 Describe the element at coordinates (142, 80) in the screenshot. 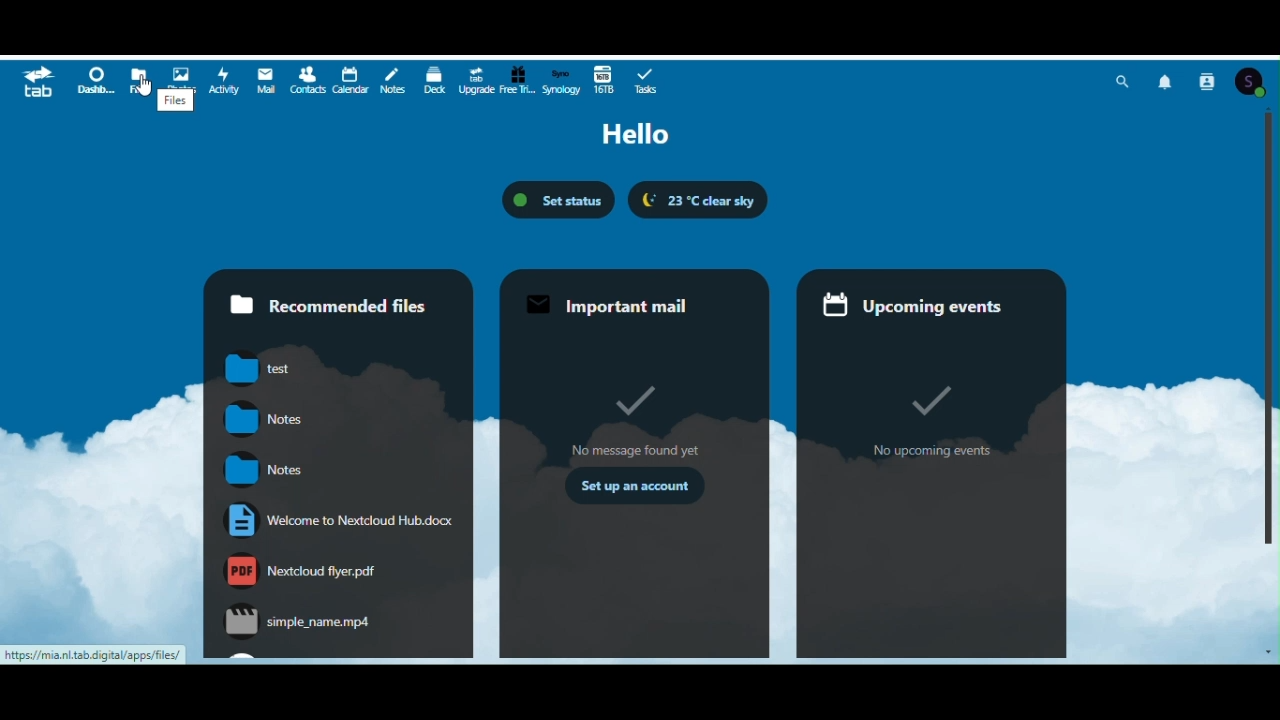

I see `Files` at that location.